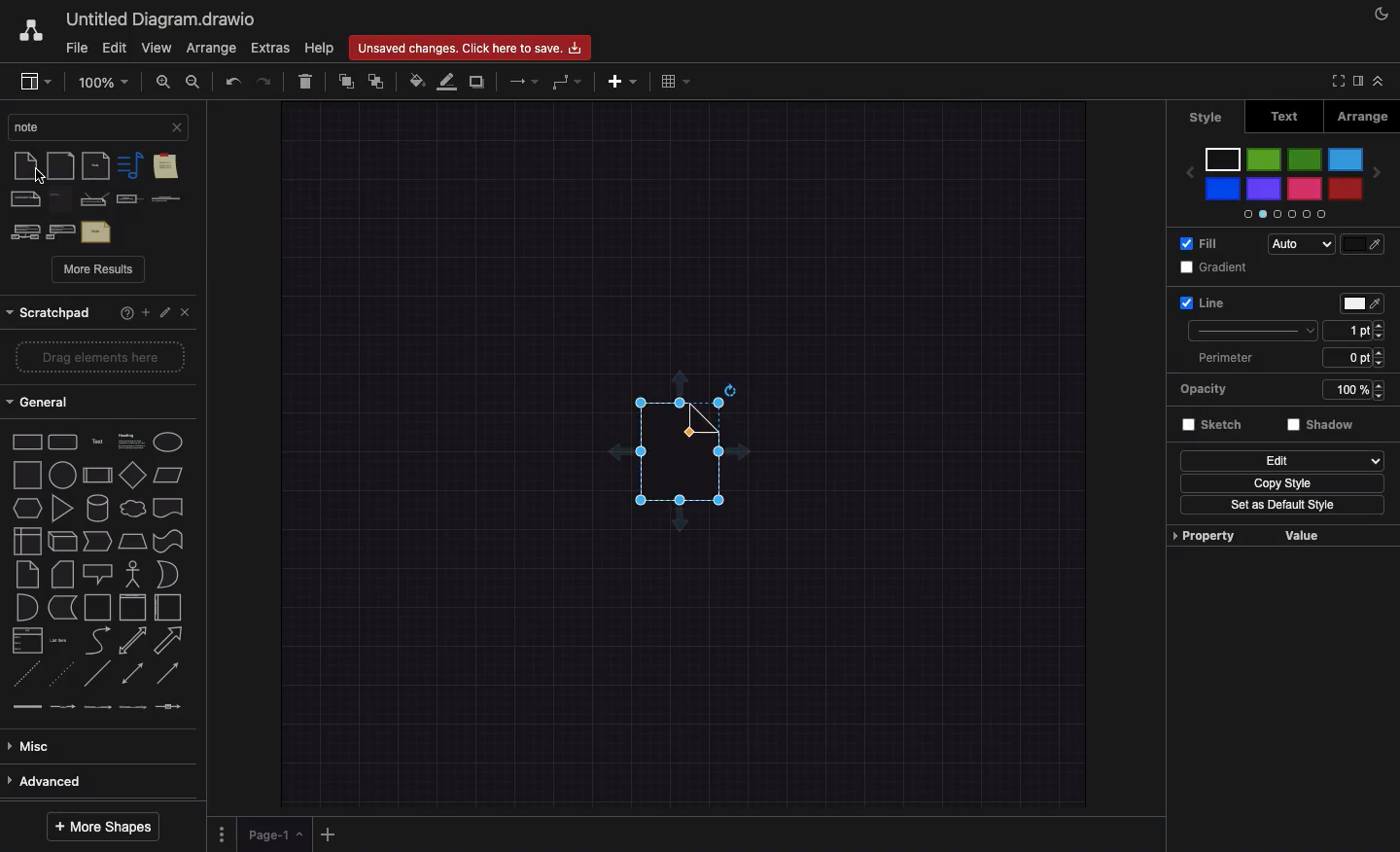 This screenshot has width=1400, height=852. What do you see at coordinates (1384, 81) in the screenshot?
I see `Collapse` at bounding box center [1384, 81].